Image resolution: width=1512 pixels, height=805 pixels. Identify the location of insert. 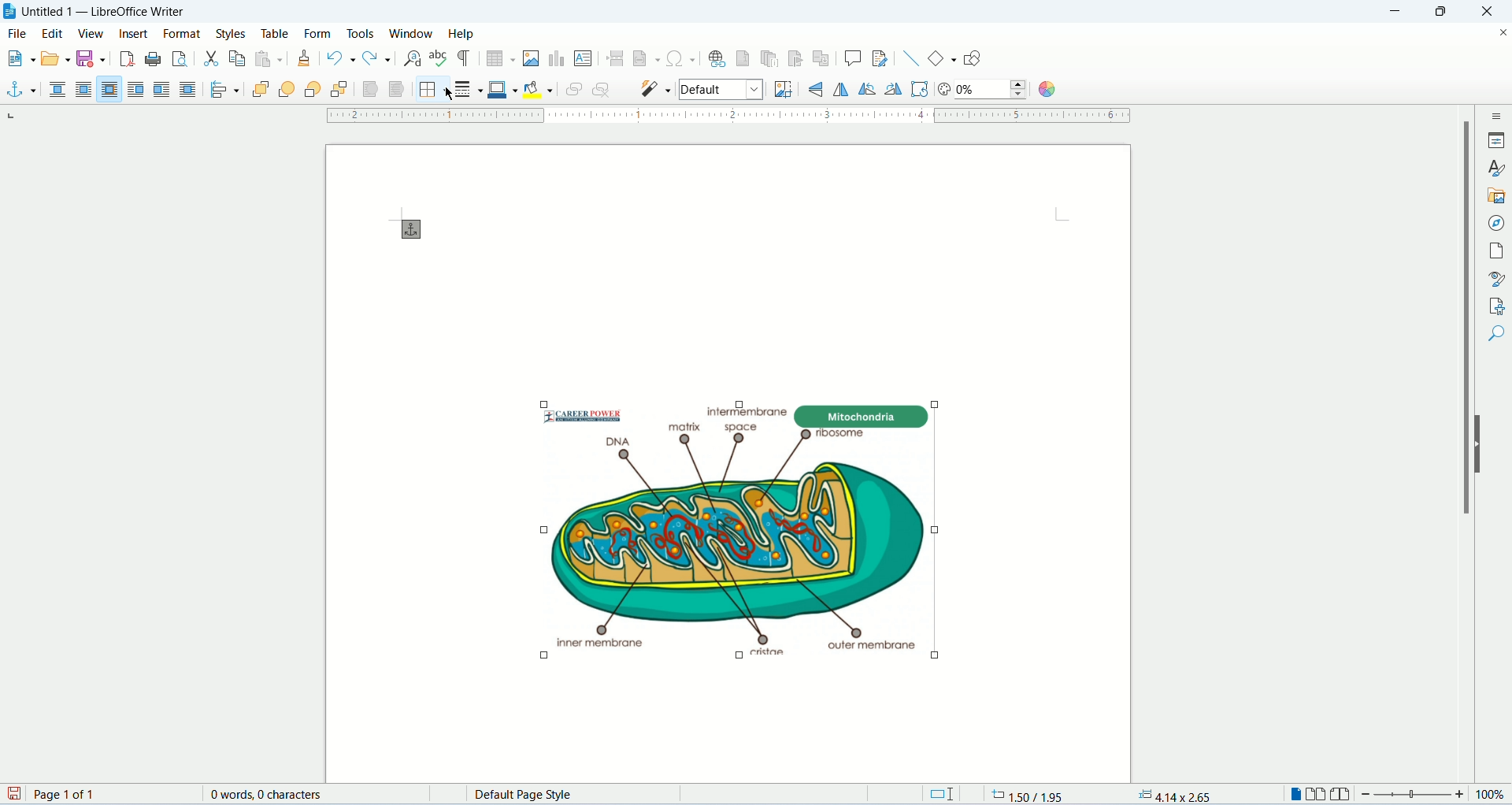
(136, 32).